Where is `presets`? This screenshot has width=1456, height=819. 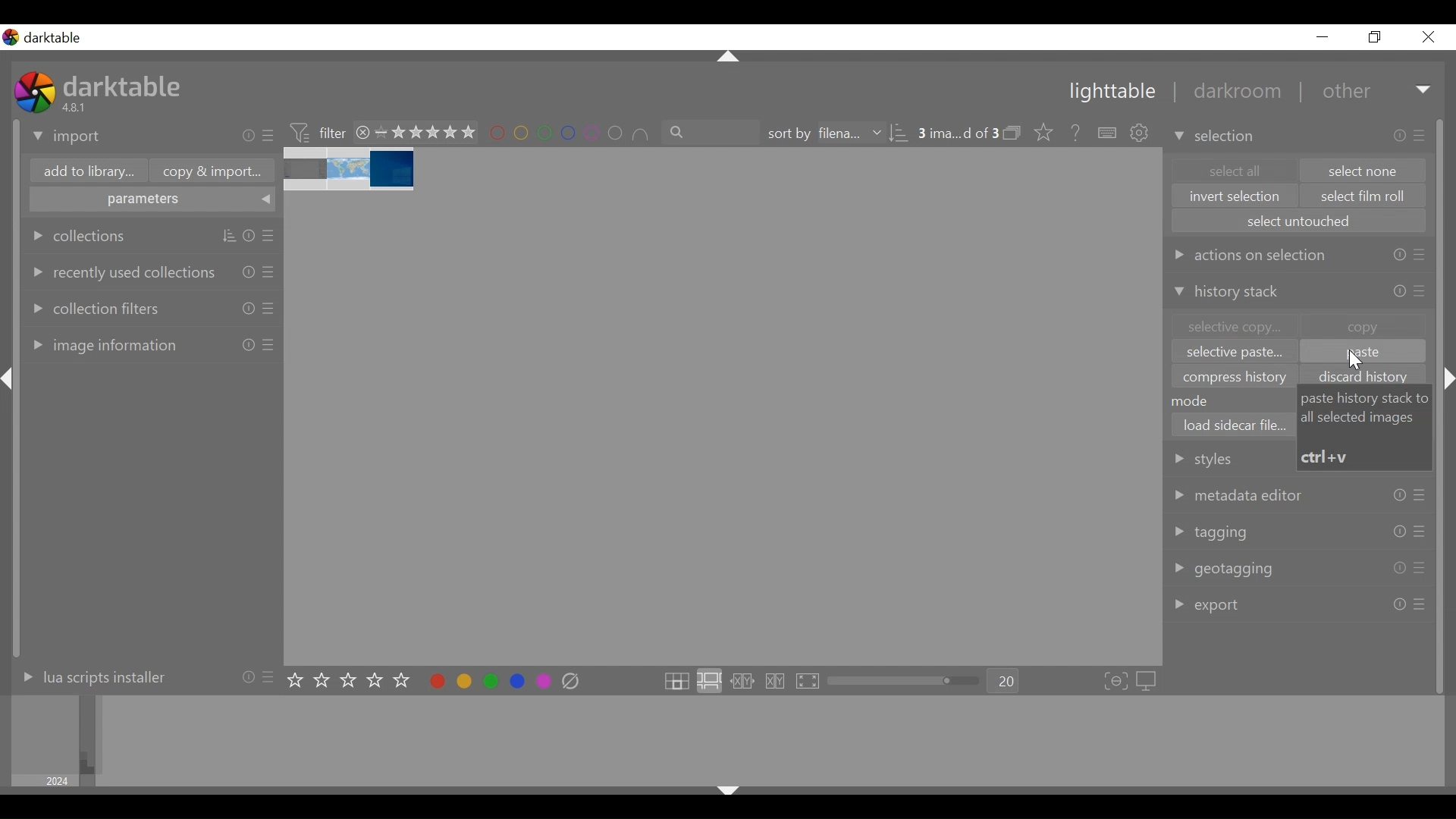 presets is located at coordinates (271, 237).